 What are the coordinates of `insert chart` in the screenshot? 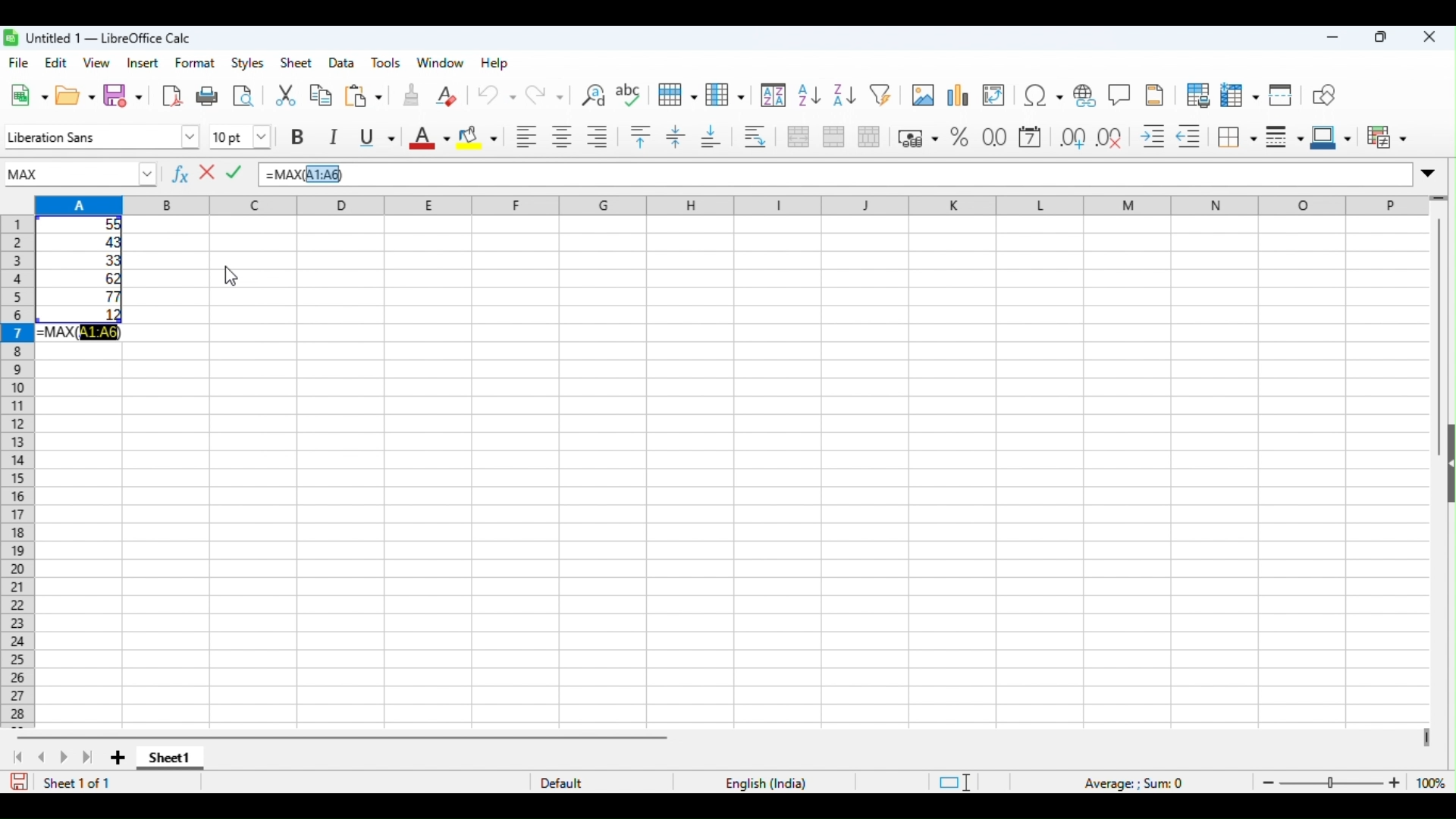 It's located at (960, 93).